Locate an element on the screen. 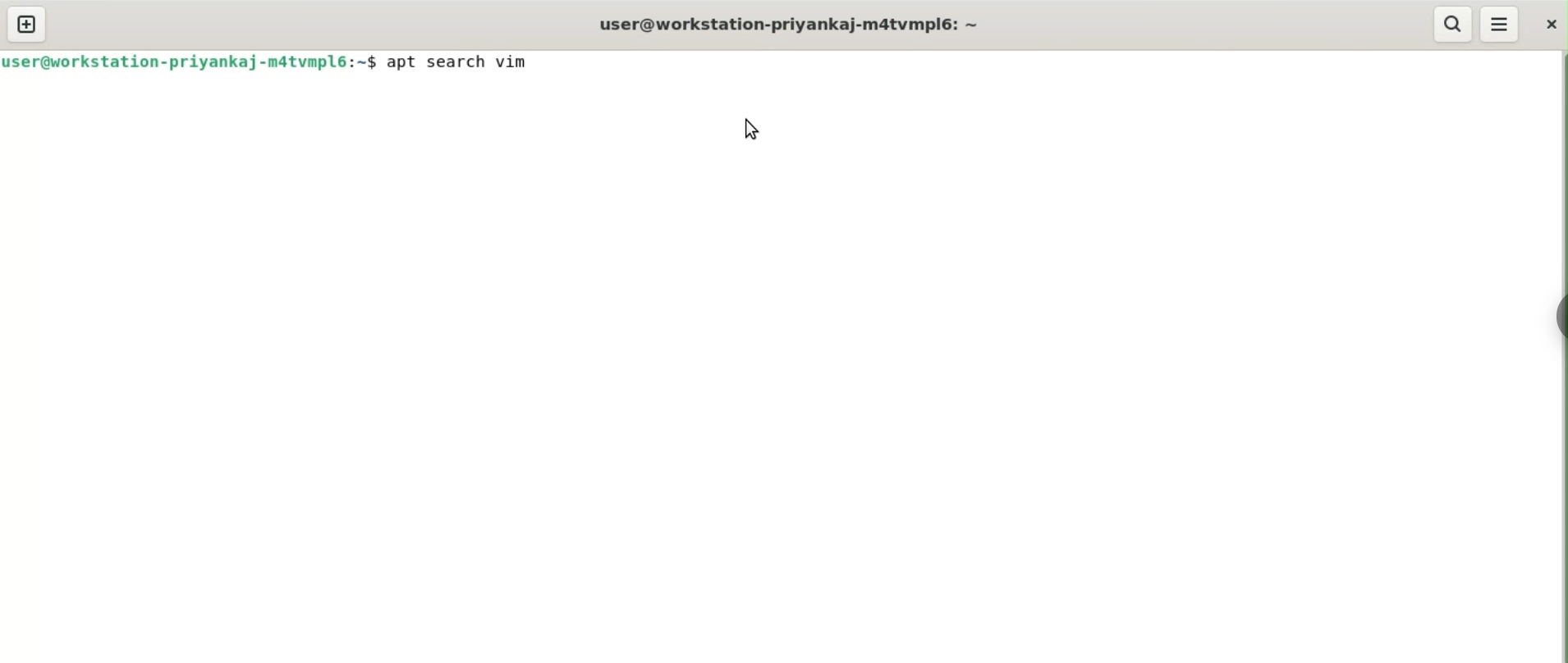 The height and width of the screenshot is (663, 1568). search is located at coordinates (1453, 25).